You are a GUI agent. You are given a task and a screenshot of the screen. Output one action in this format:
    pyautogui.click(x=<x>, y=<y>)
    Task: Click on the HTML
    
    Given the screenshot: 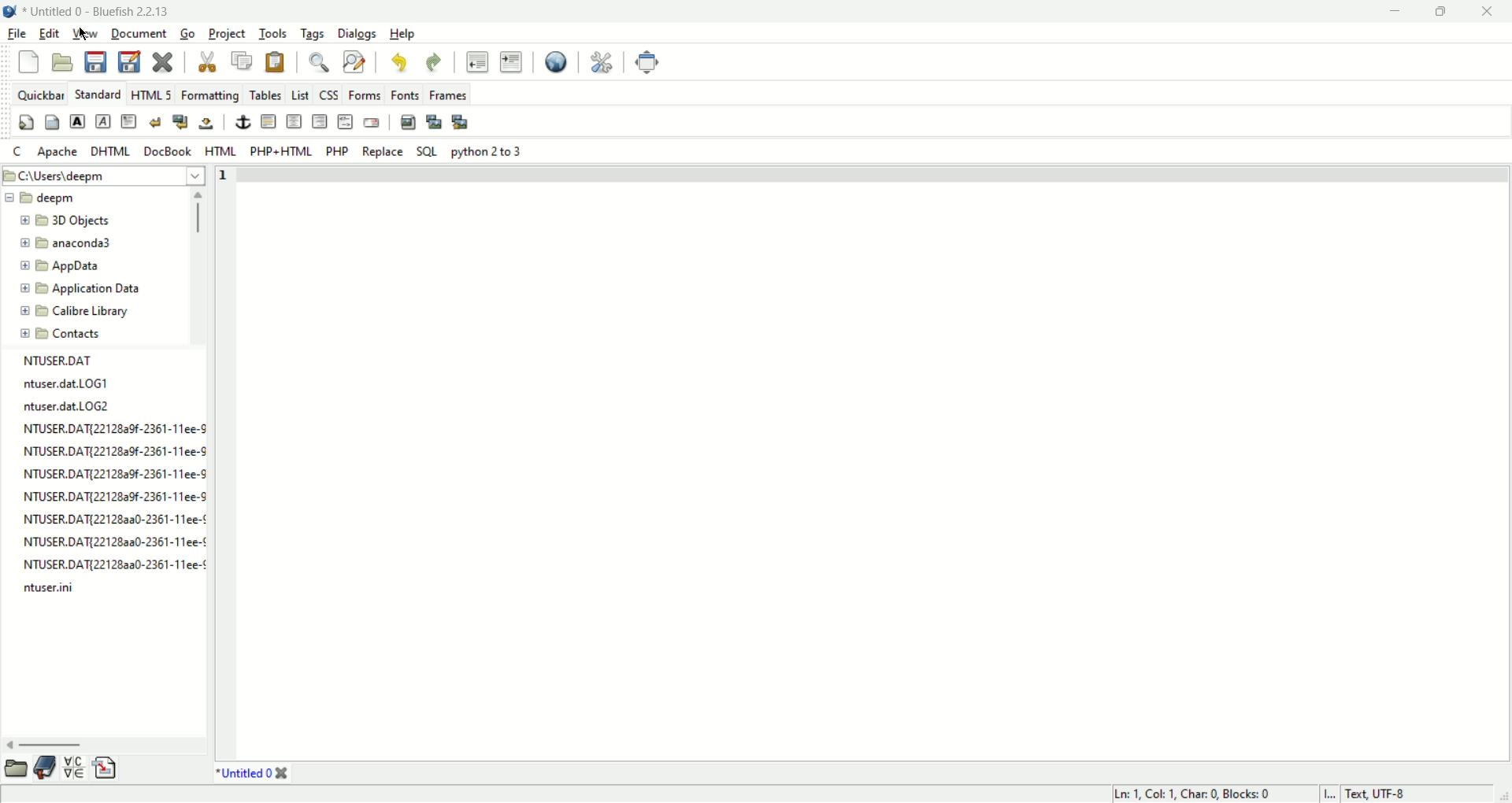 What is the action you would take?
    pyautogui.click(x=220, y=151)
    